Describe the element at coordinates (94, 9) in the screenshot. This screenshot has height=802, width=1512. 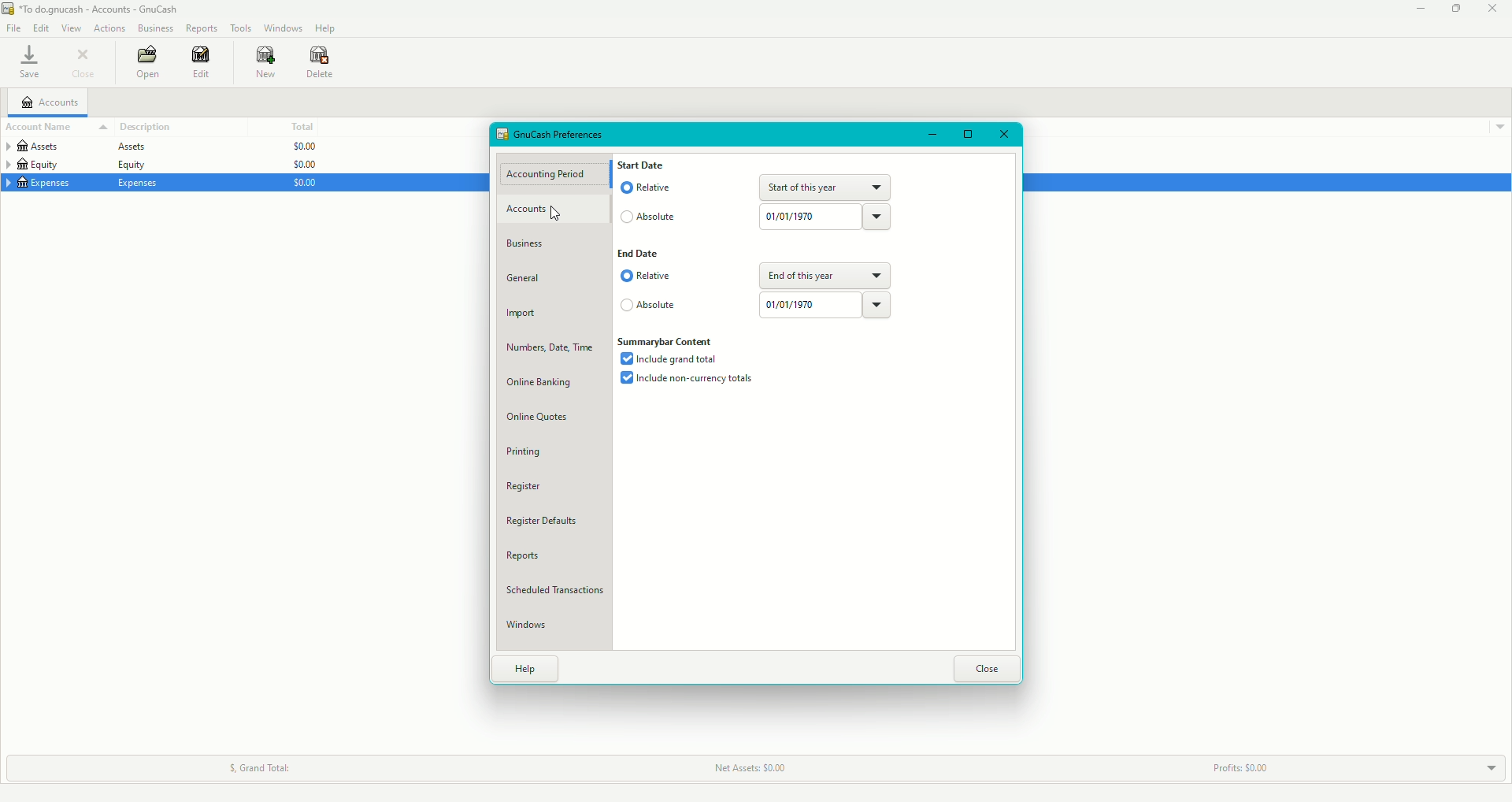
I see `GnuCash` at that location.